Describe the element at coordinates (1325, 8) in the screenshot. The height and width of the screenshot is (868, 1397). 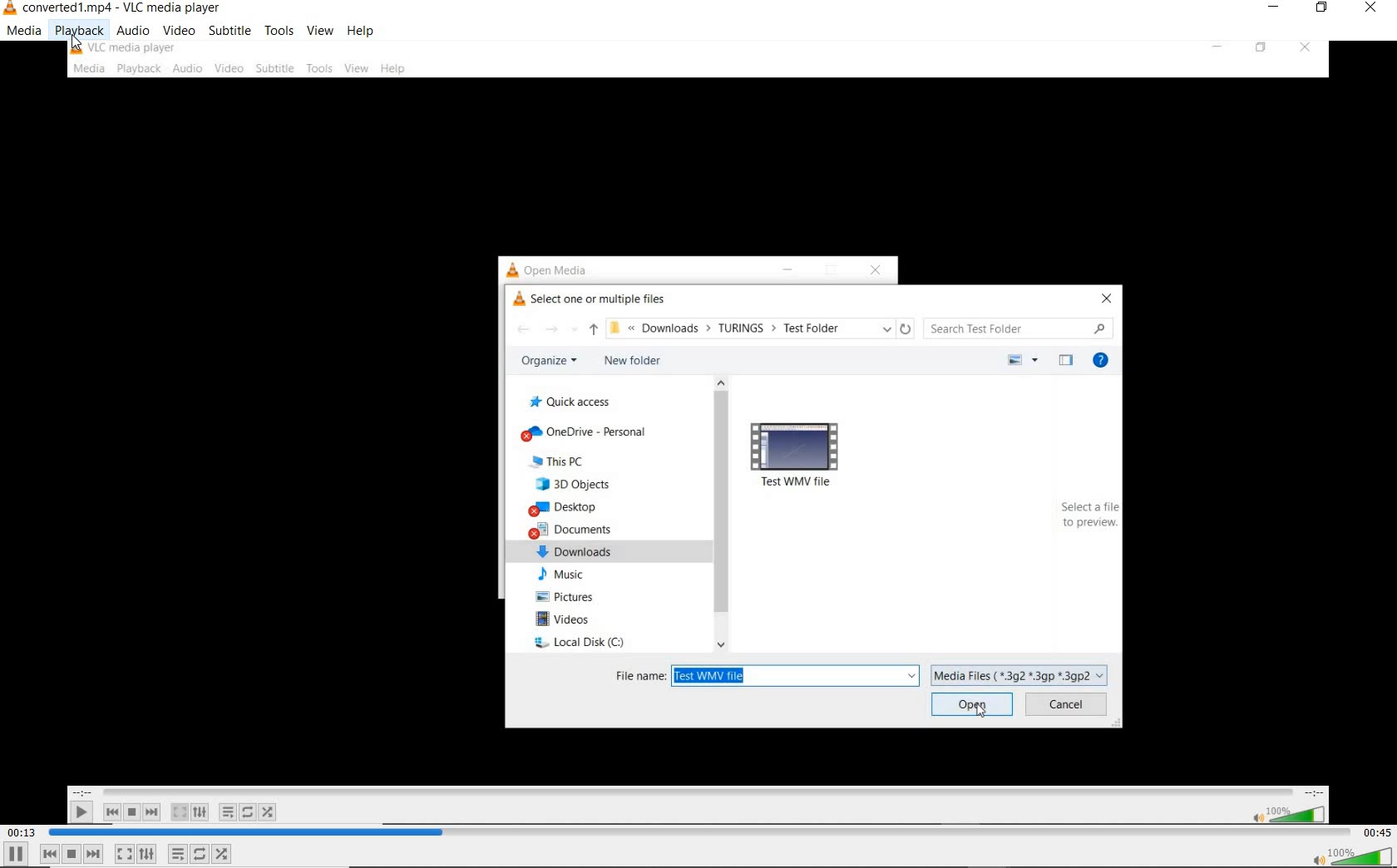
I see `restore down` at that location.